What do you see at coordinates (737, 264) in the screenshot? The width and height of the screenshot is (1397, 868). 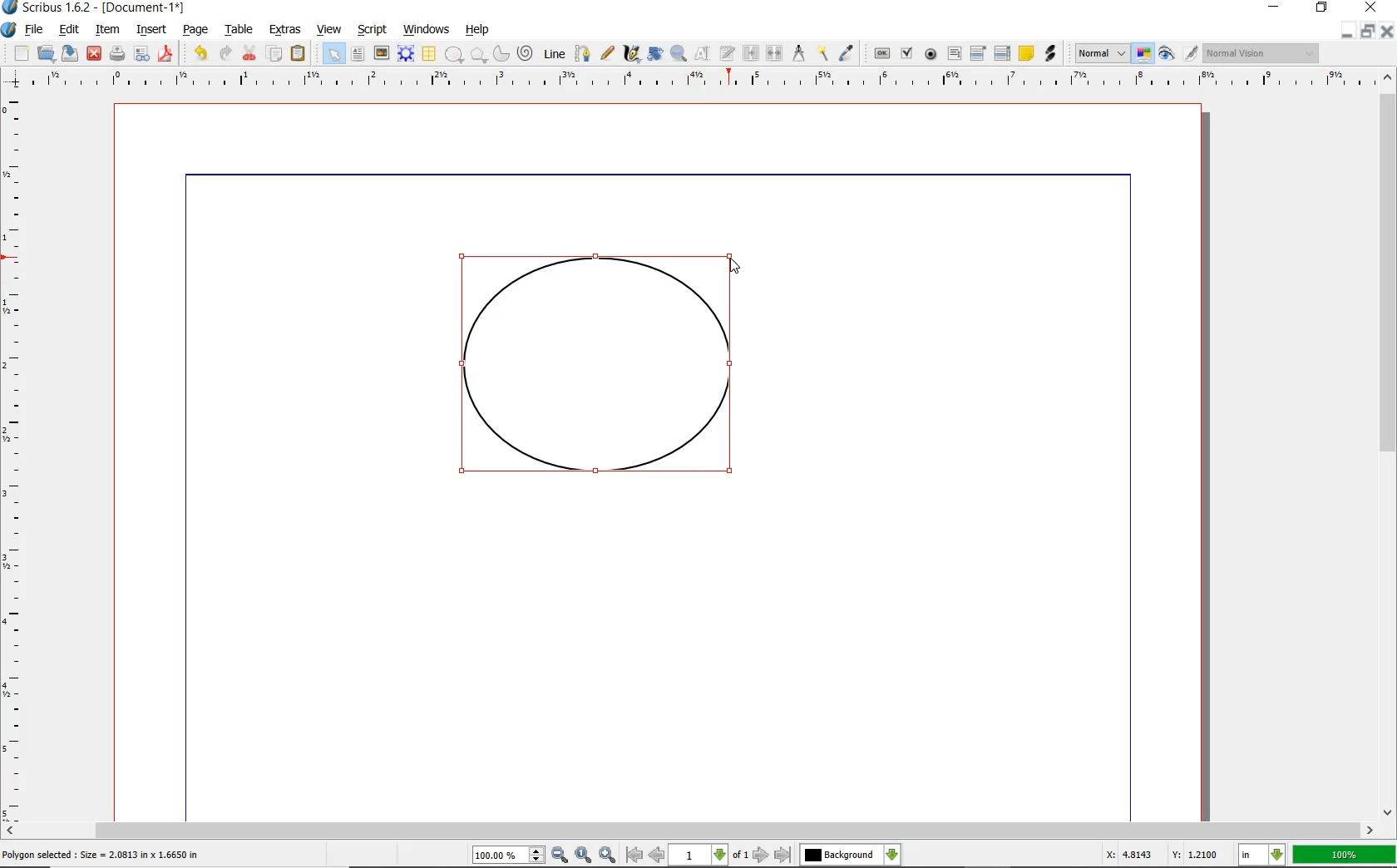 I see `shape tool` at bounding box center [737, 264].